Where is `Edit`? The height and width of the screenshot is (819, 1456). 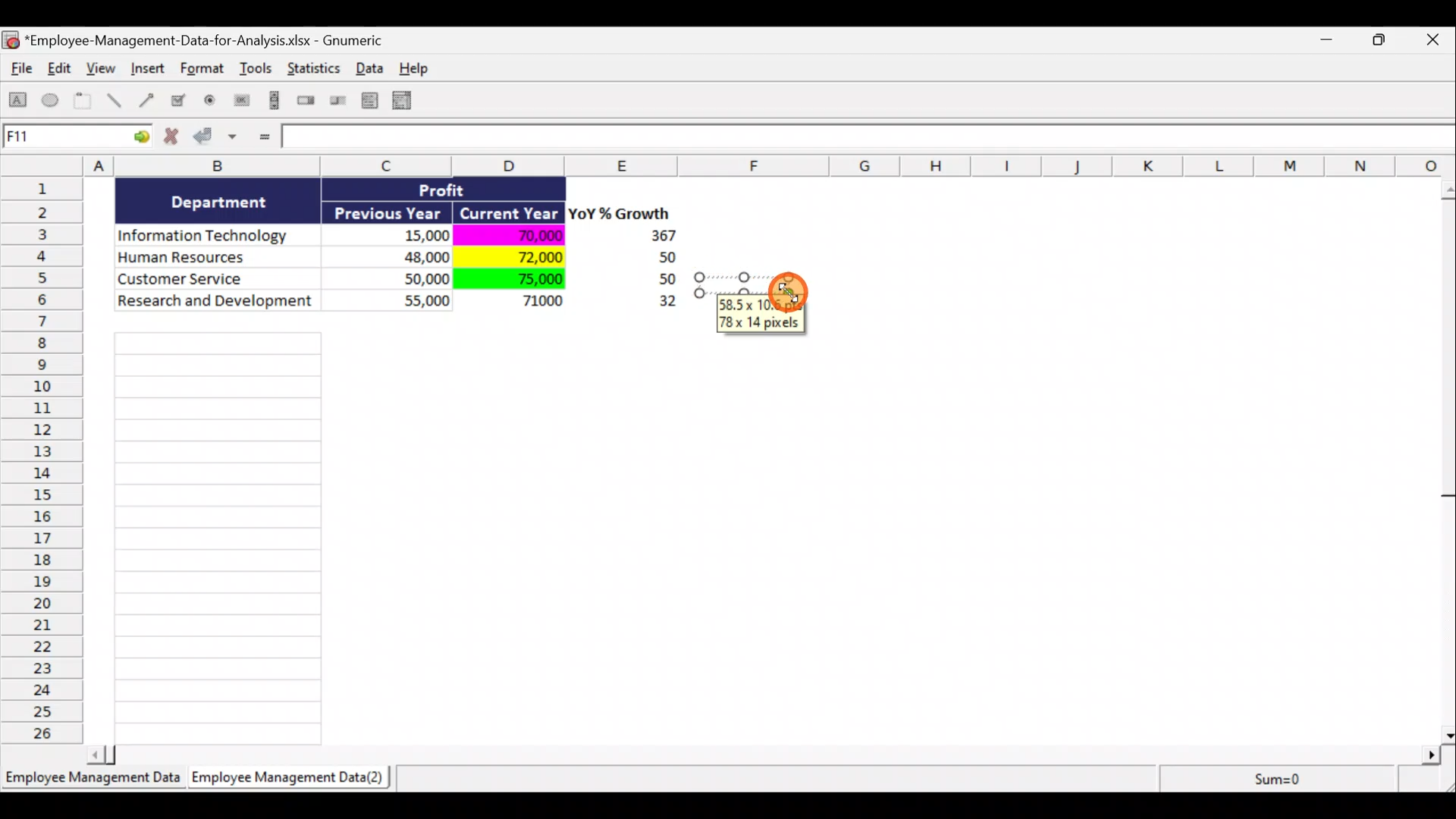
Edit is located at coordinates (61, 70).